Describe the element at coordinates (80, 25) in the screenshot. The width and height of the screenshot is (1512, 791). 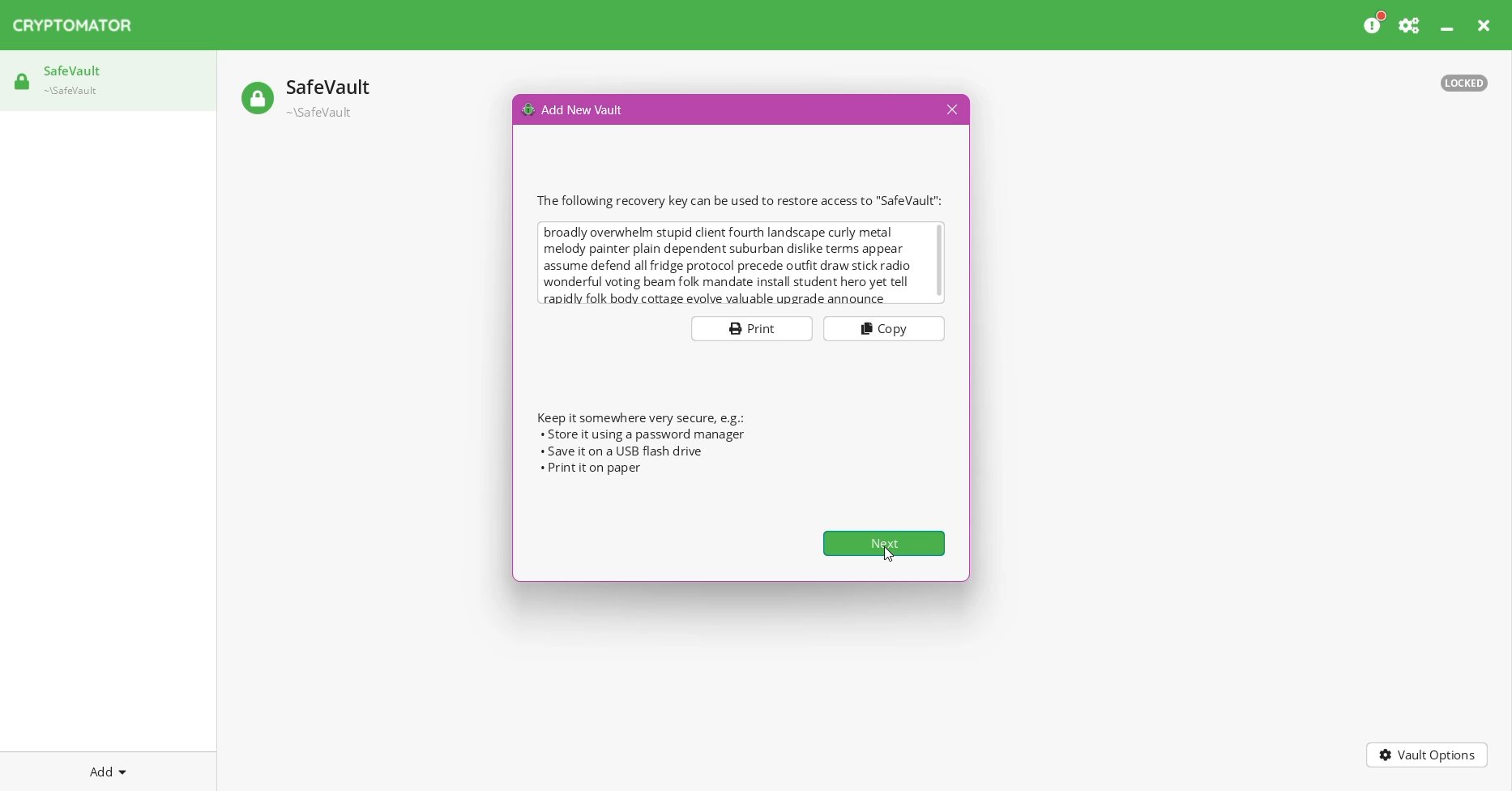
I see `CRYPTOMATOR Application Name` at that location.